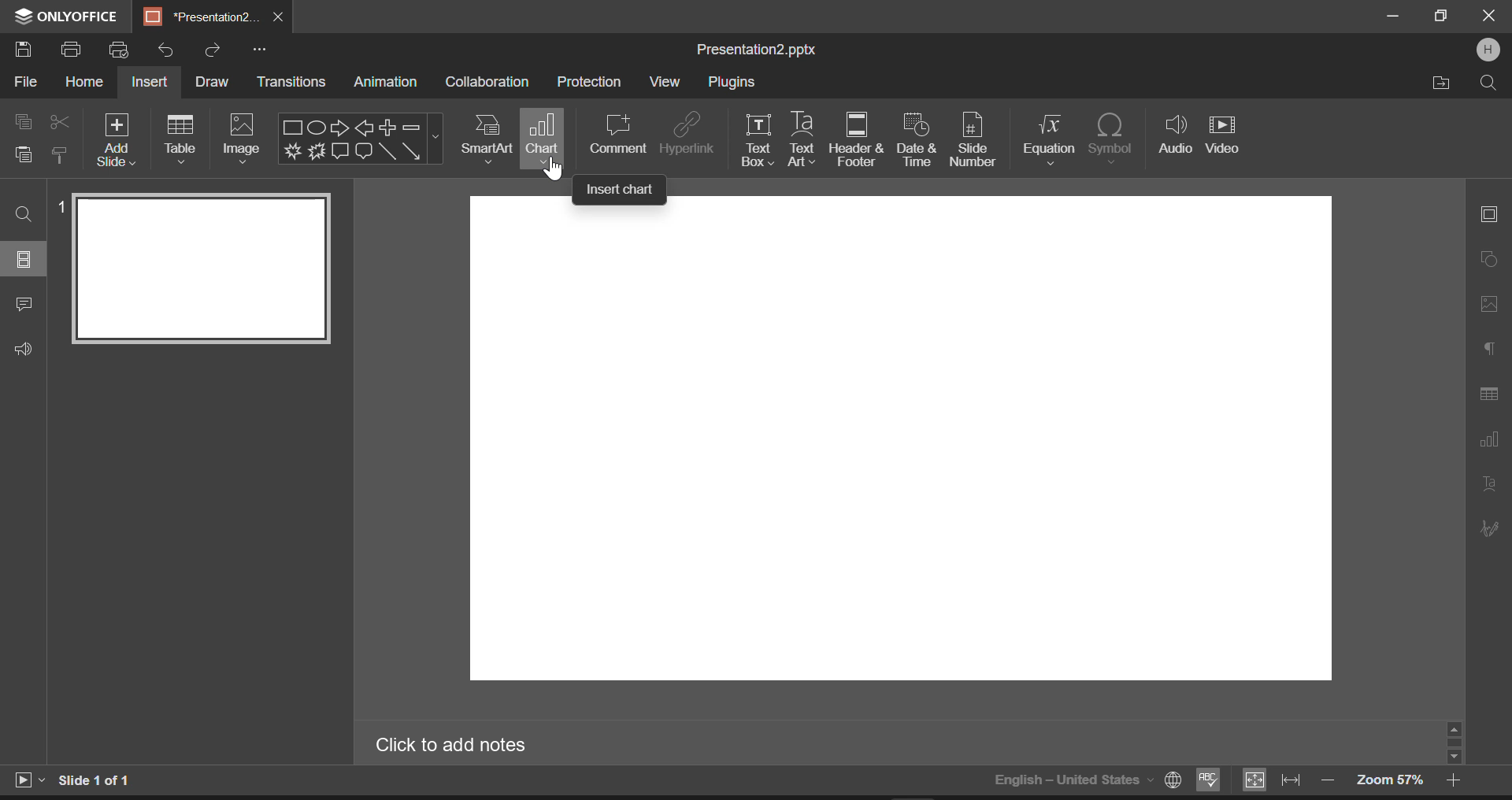 The width and height of the screenshot is (1512, 800). Describe the element at coordinates (487, 140) in the screenshot. I see `SmartArt` at that location.